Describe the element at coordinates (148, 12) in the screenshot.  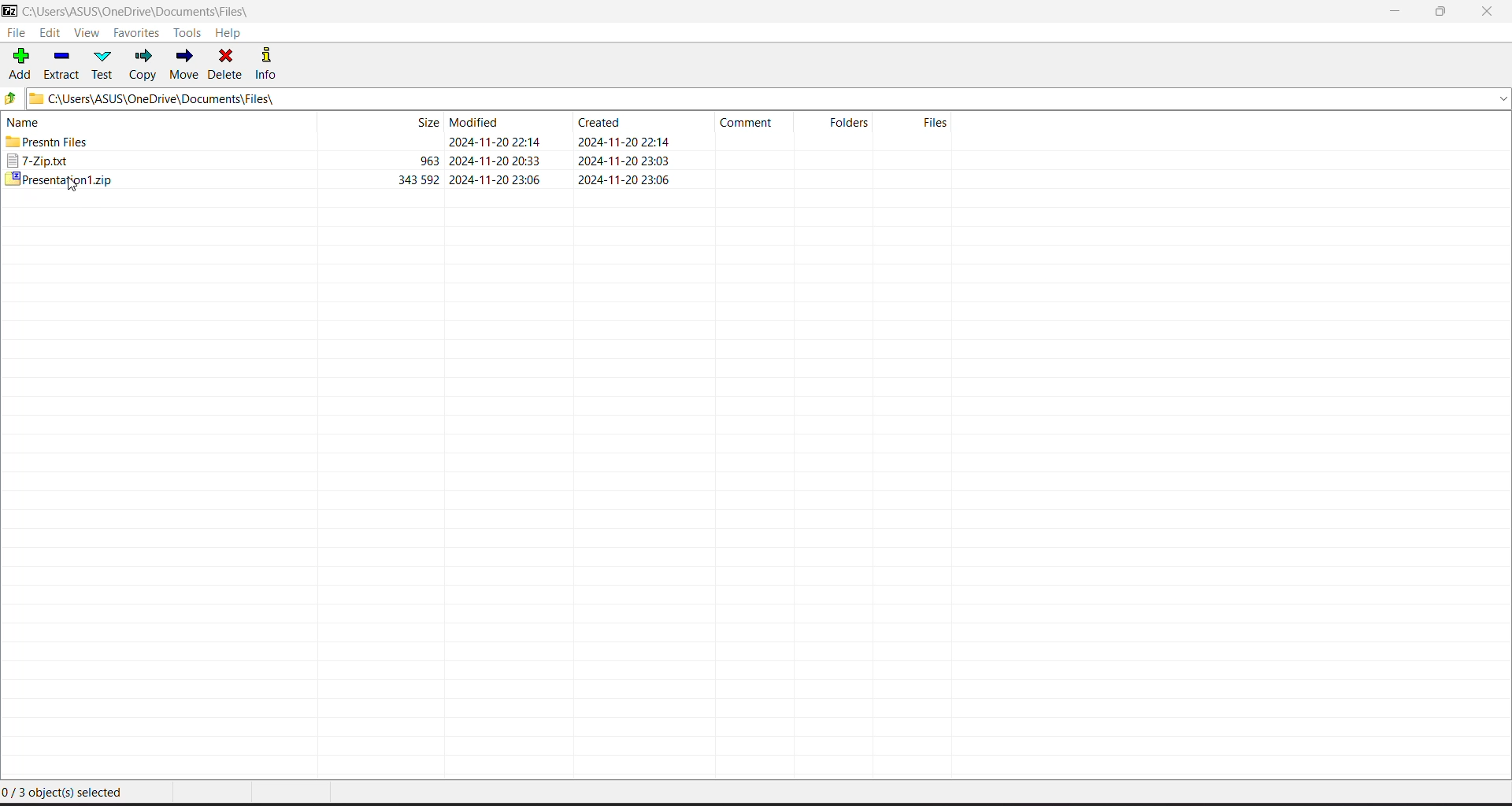
I see `Current Folder Path` at that location.